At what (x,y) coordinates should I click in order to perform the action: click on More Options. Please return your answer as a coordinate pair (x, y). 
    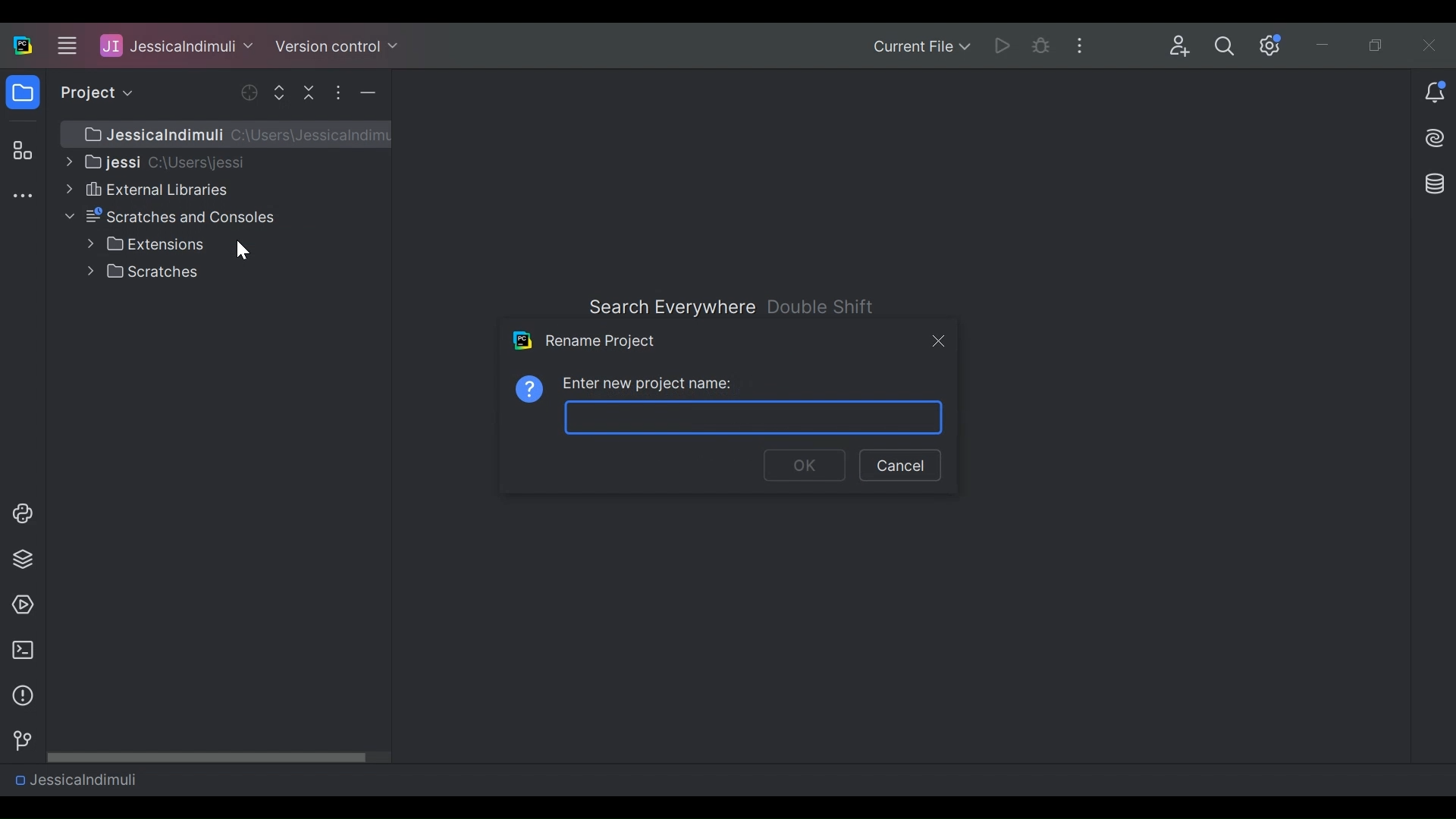
    Looking at the image, I should click on (1084, 44).